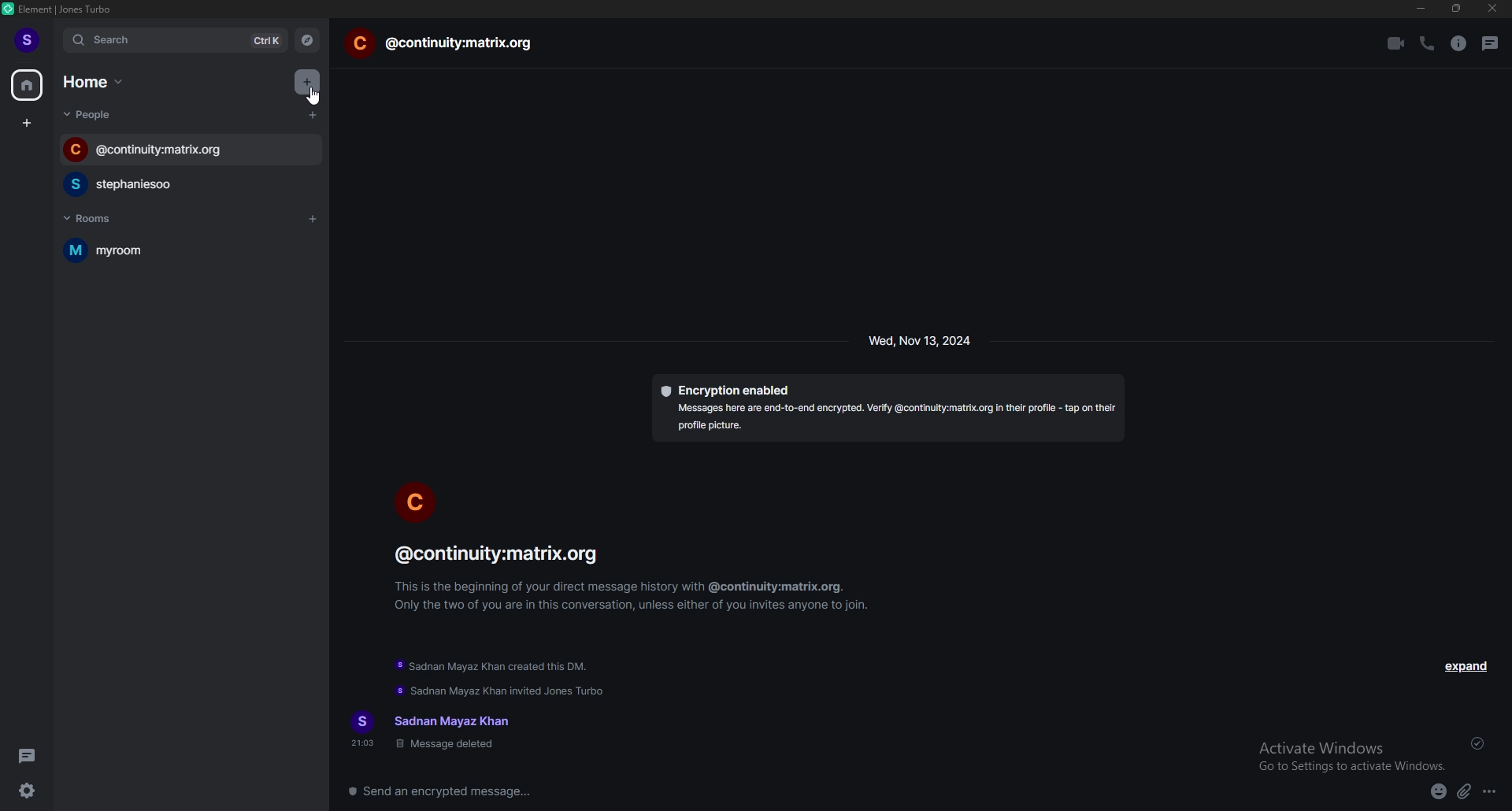 This screenshot has width=1512, height=811. What do you see at coordinates (502, 691) in the screenshot?
I see `update` at bounding box center [502, 691].